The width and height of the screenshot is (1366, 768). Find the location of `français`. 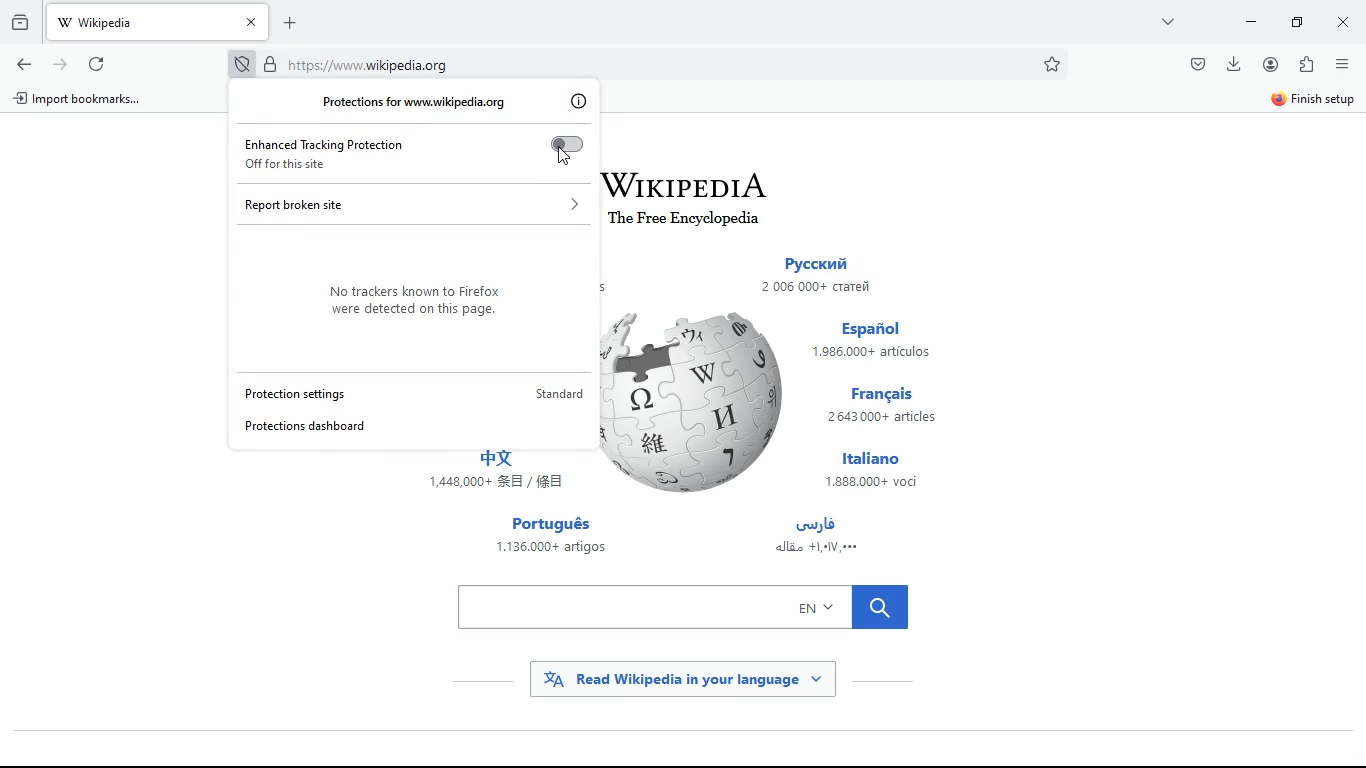

français is located at coordinates (891, 406).